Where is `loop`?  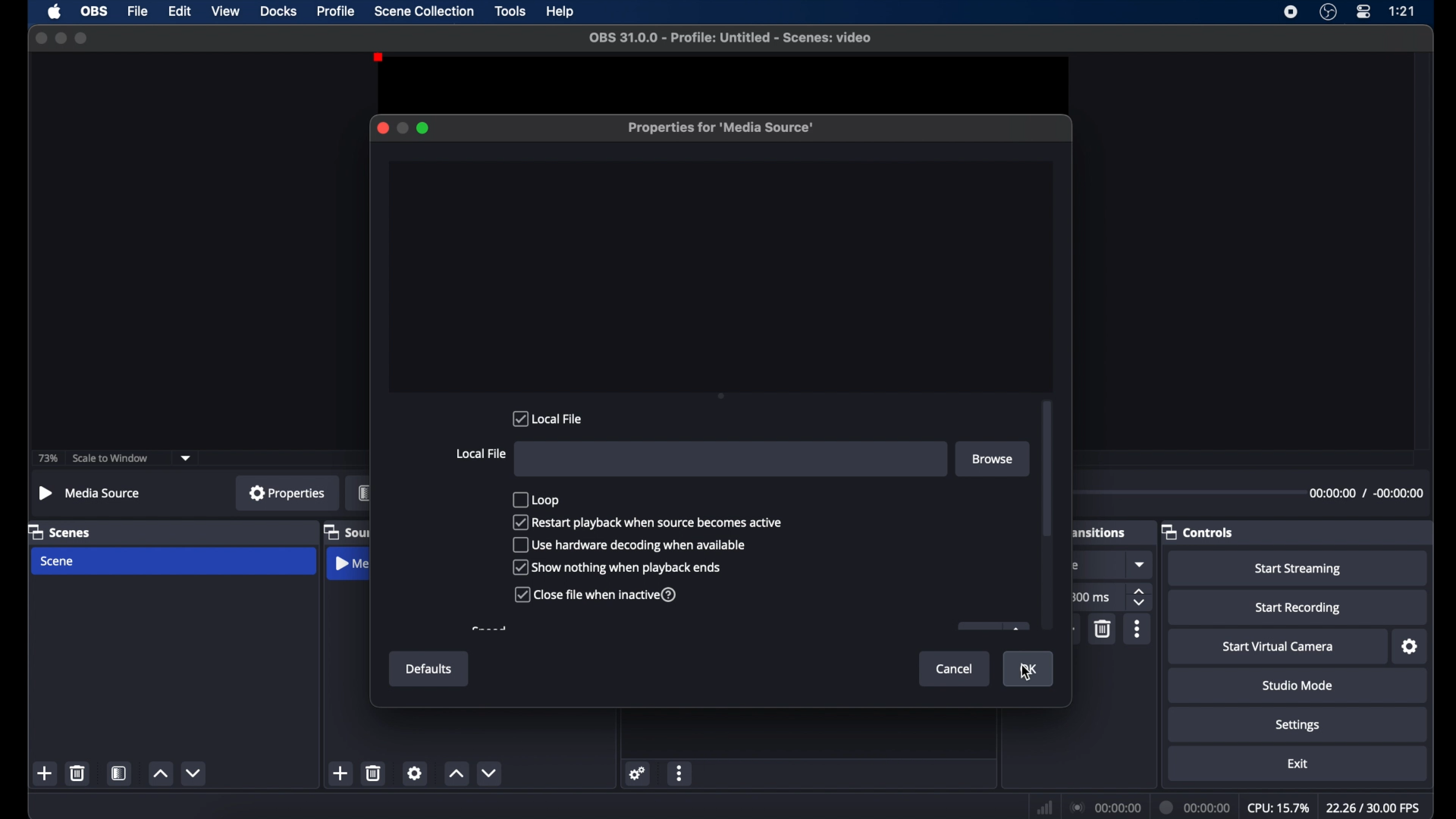
loop is located at coordinates (537, 499).